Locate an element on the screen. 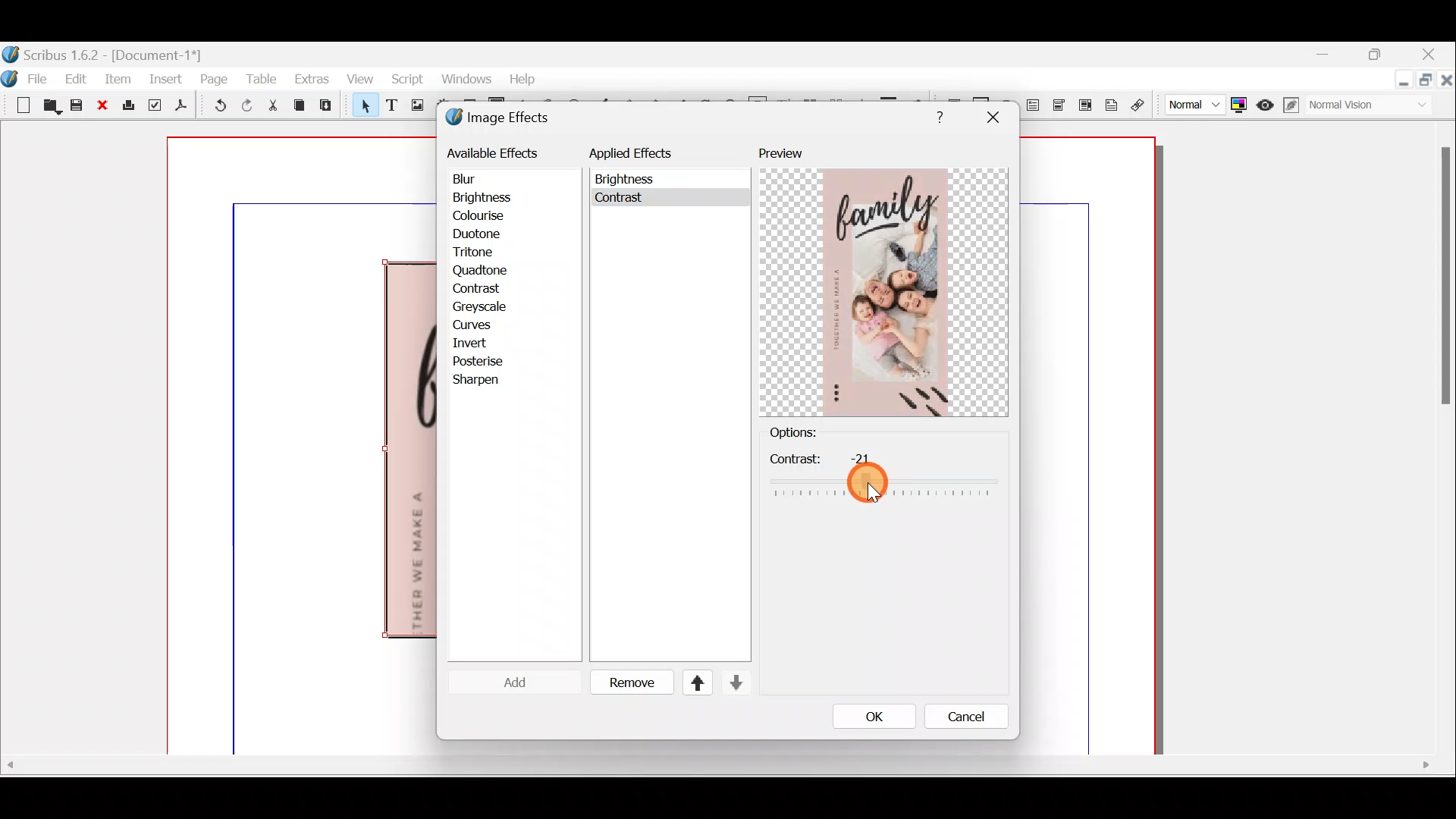   is located at coordinates (1442, 283).